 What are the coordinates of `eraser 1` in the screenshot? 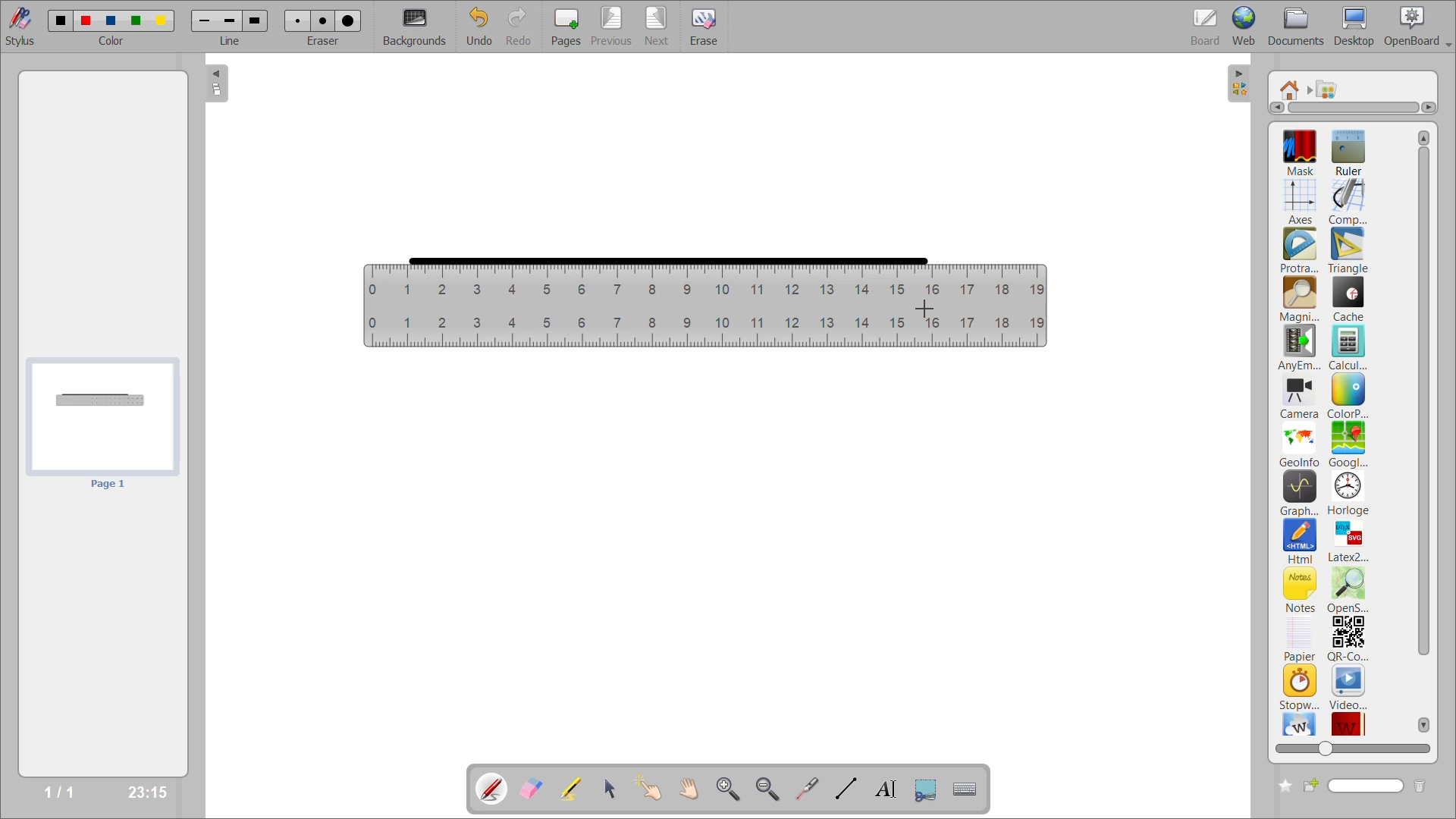 It's located at (298, 20).